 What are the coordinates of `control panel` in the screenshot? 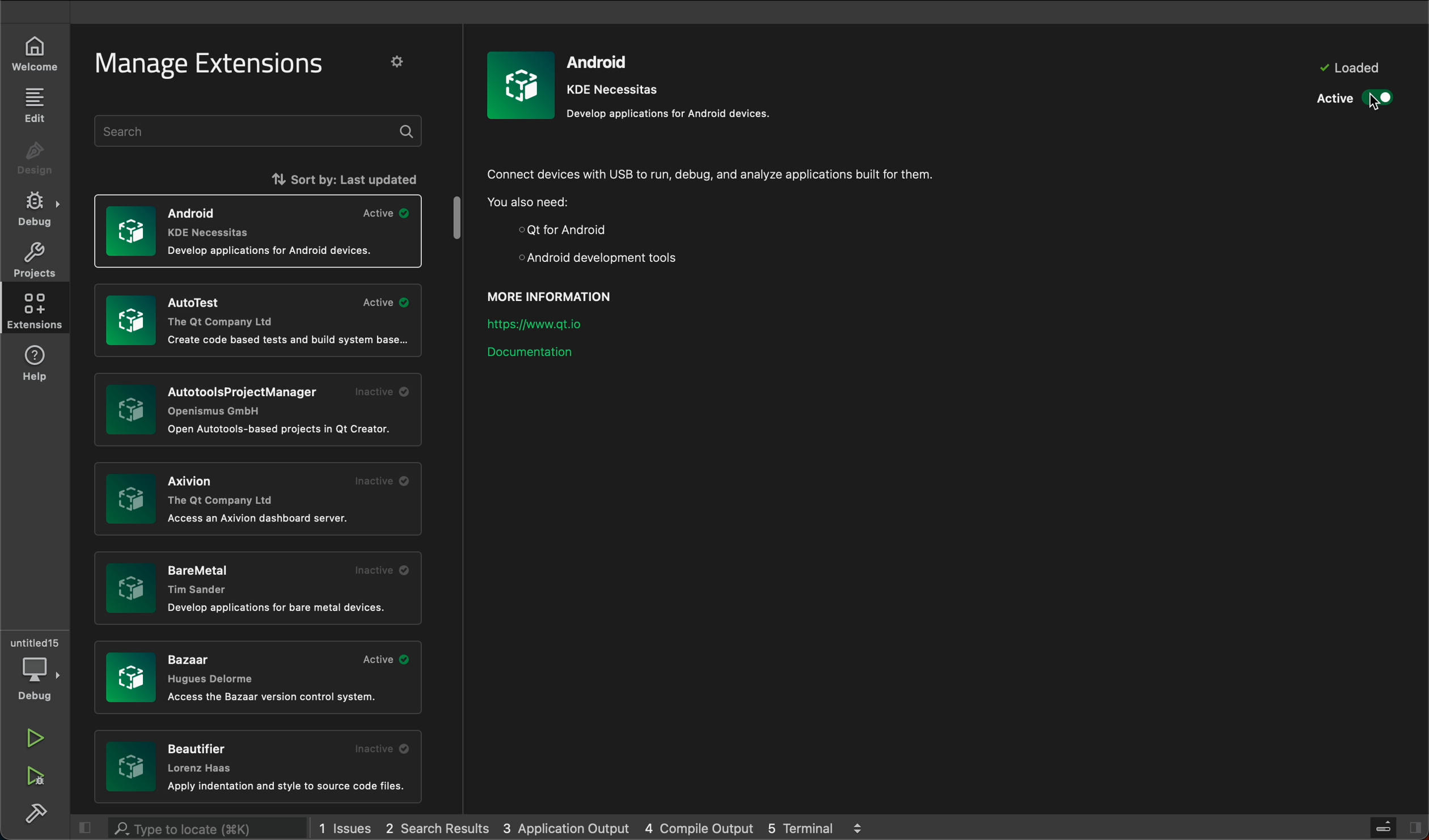 It's located at (1379, 825).